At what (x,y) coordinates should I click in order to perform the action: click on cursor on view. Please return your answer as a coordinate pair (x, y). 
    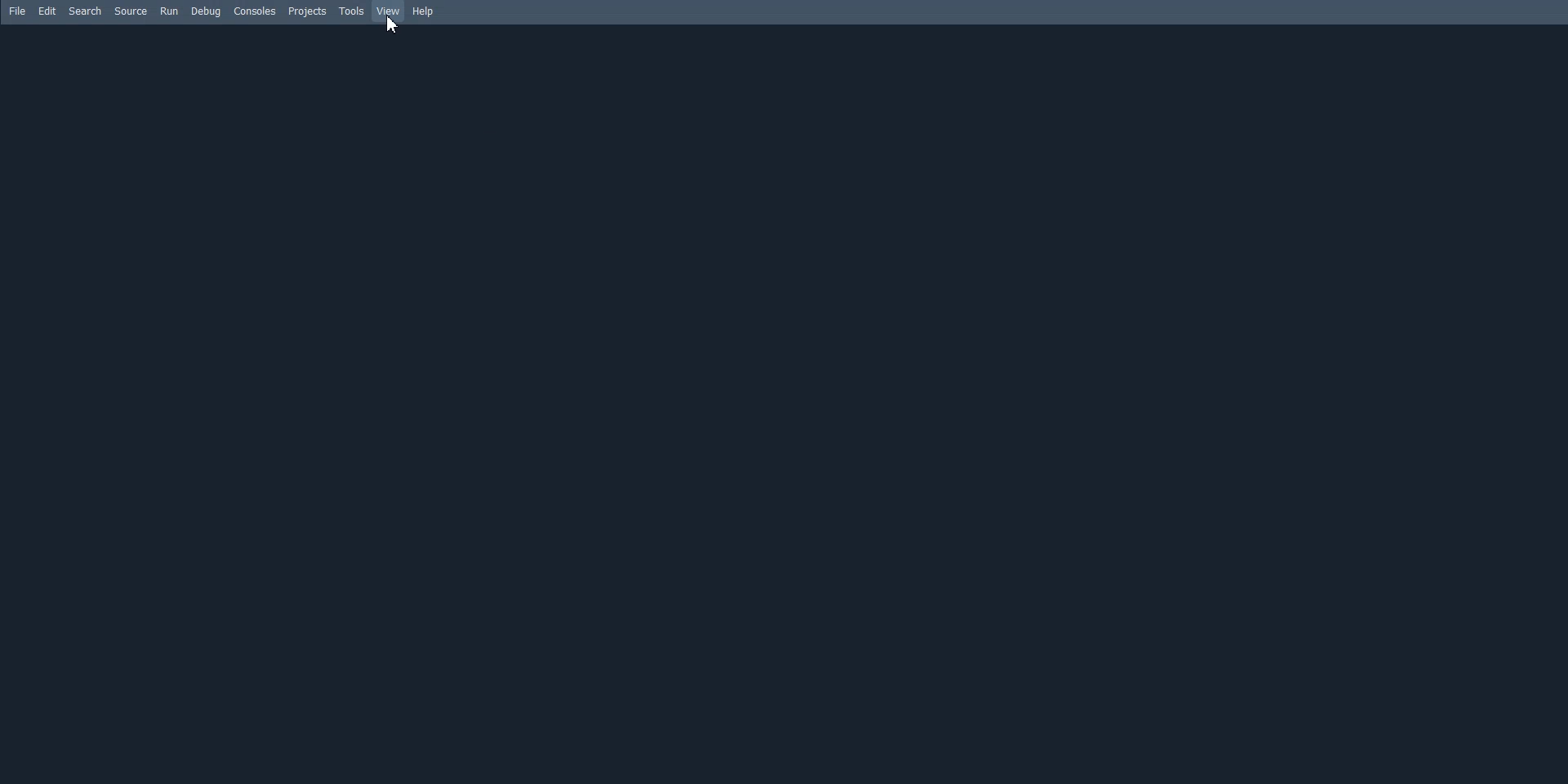
    Looking at the image, I should click on (394, 26).